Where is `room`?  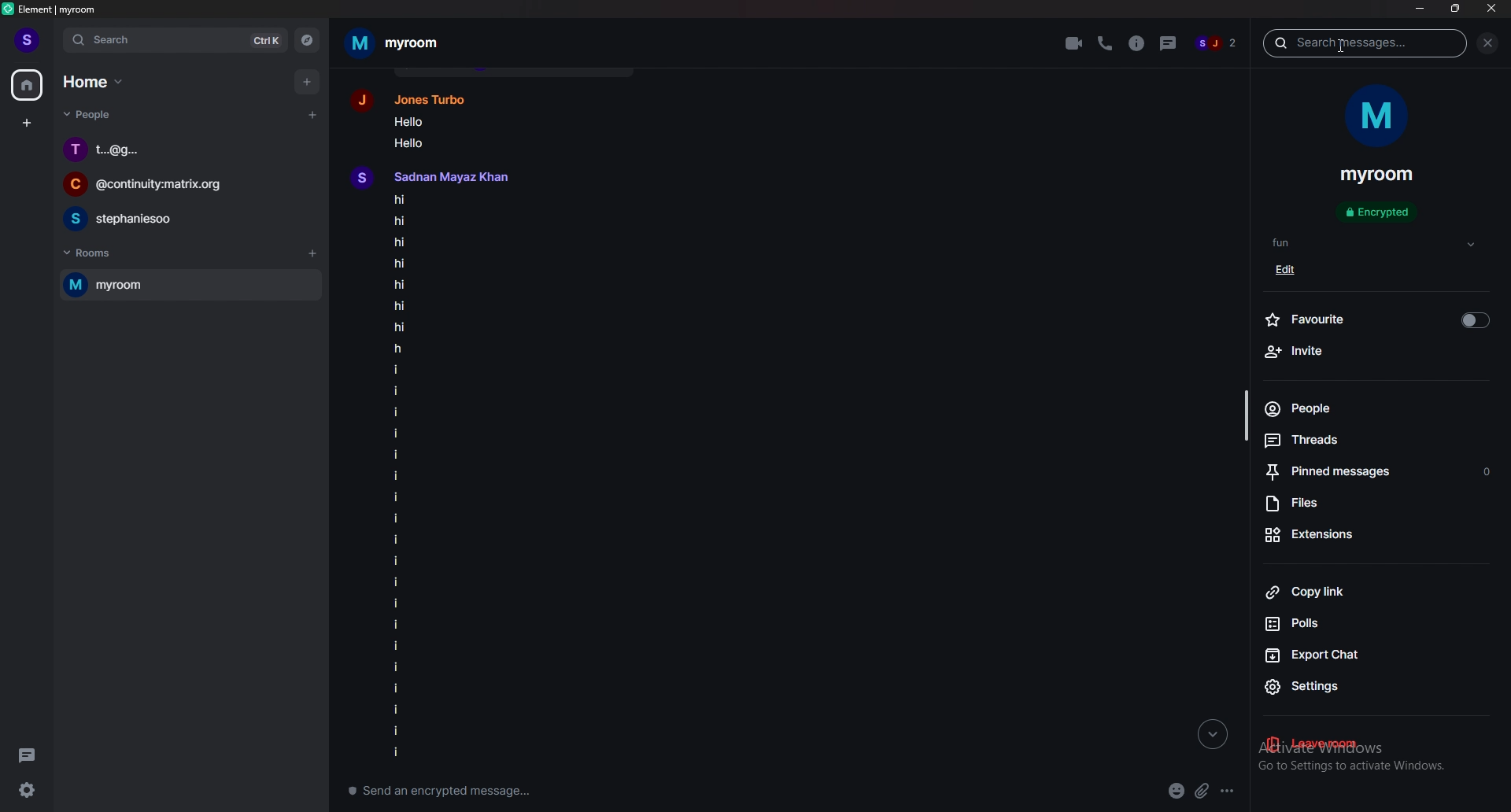 room is located at coordinates (180, 285).